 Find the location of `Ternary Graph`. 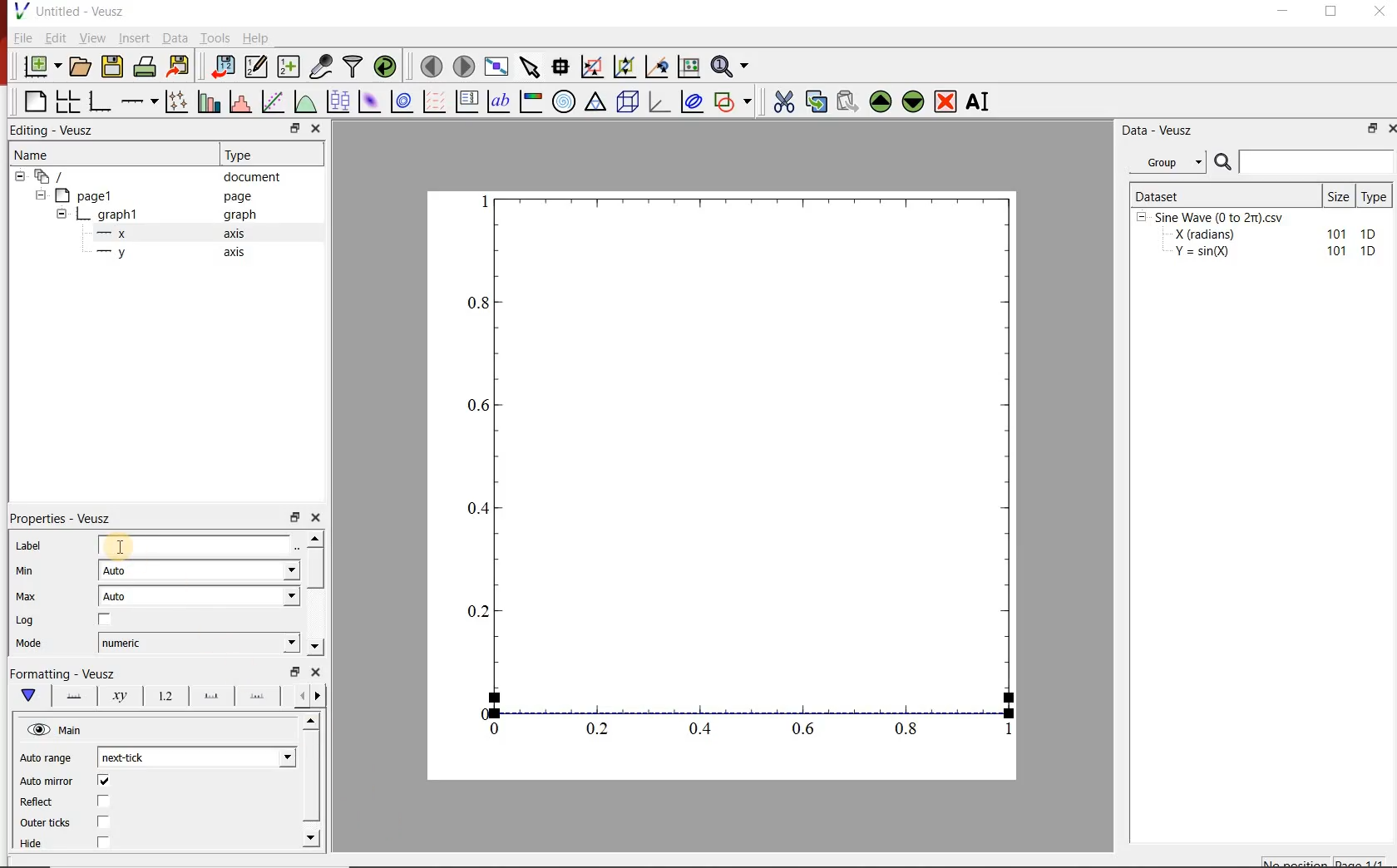

Ternary Graph is located at coordinates (596, 101).